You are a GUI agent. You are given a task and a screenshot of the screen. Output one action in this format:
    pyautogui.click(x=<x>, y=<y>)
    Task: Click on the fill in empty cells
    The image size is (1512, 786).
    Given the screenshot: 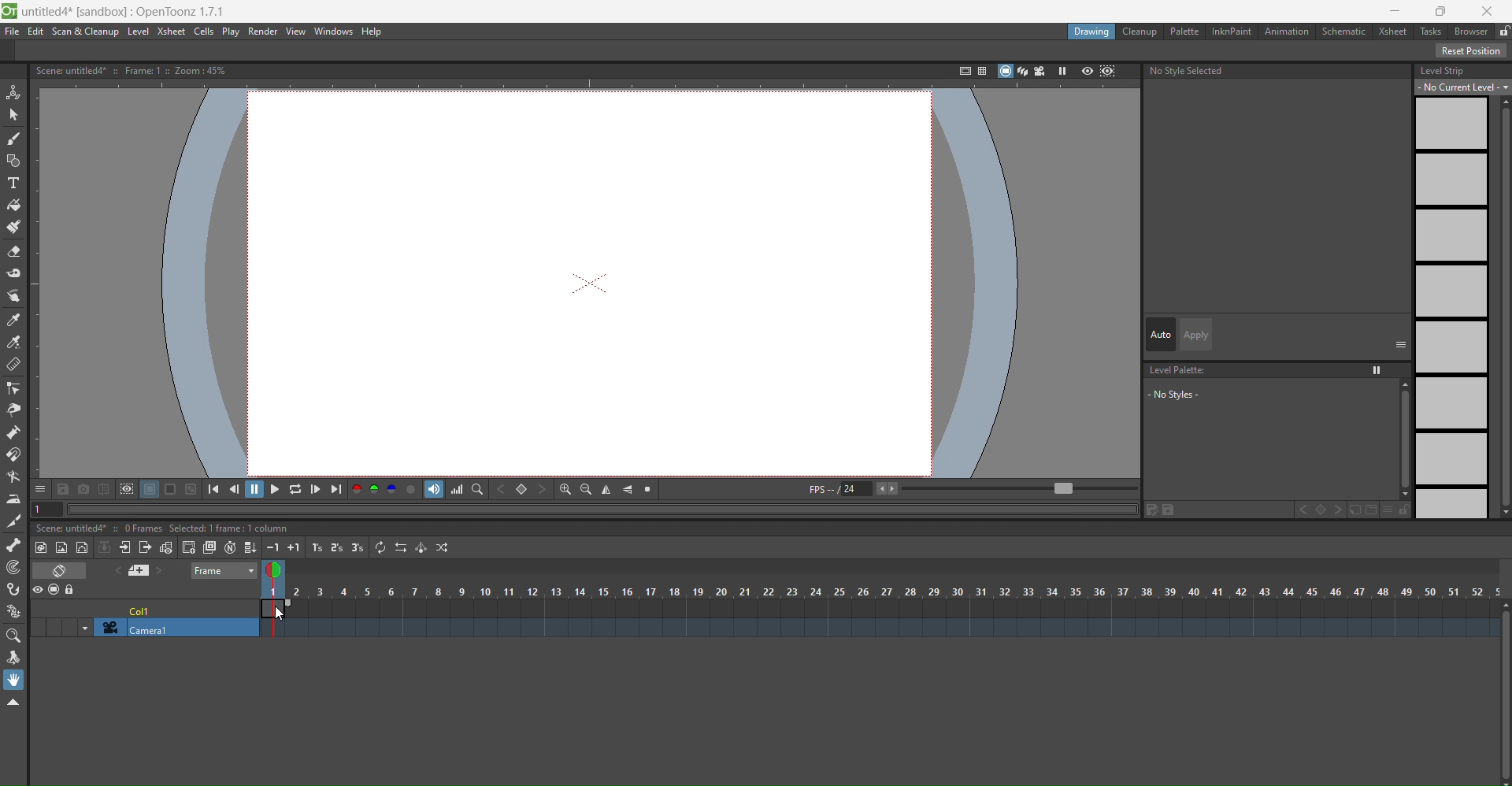 What is the action you would take?
    pyautogui.click(x=250, y=546)
    